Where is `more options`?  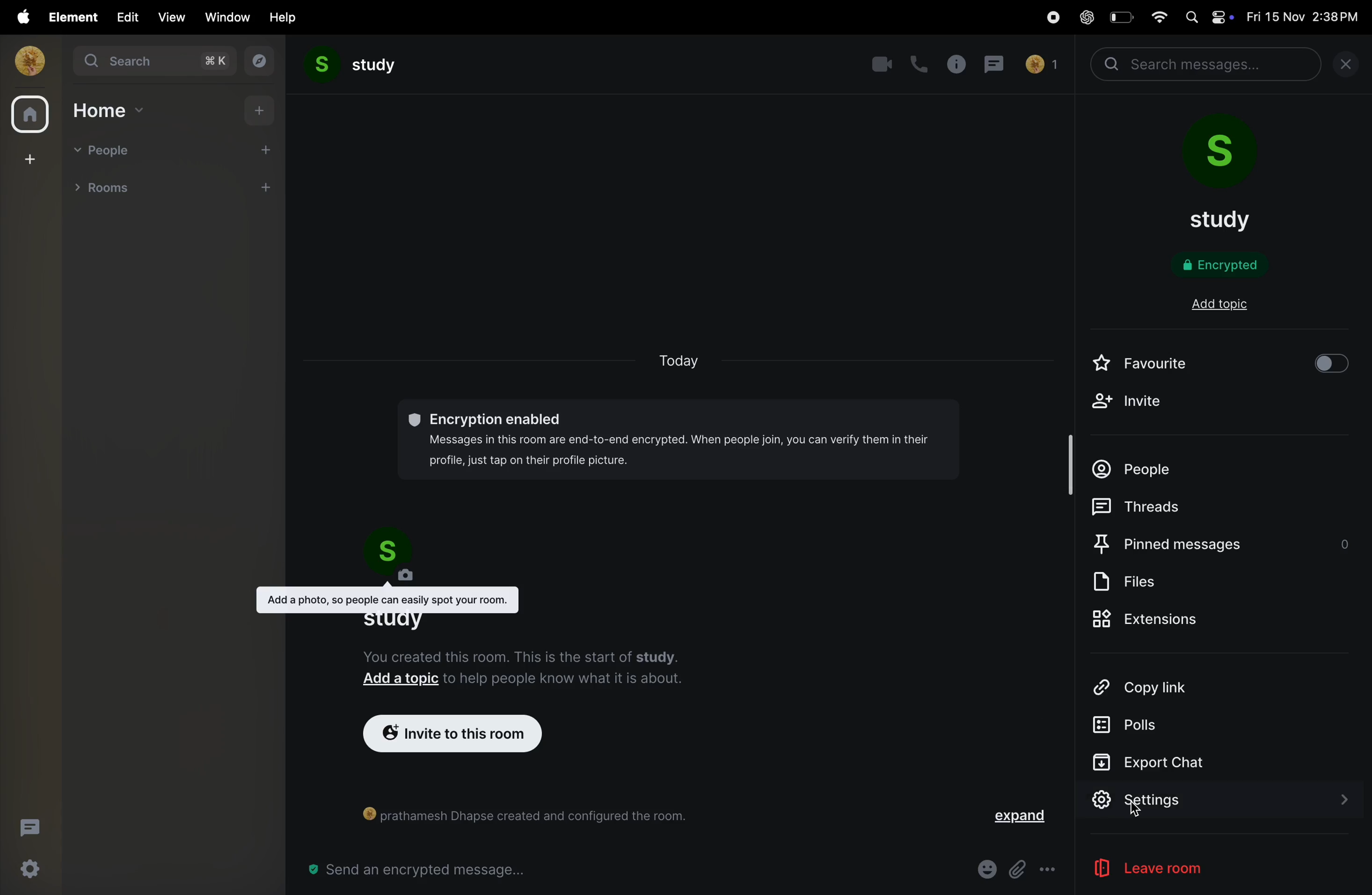
more options is located at coordinates (1049, 870).